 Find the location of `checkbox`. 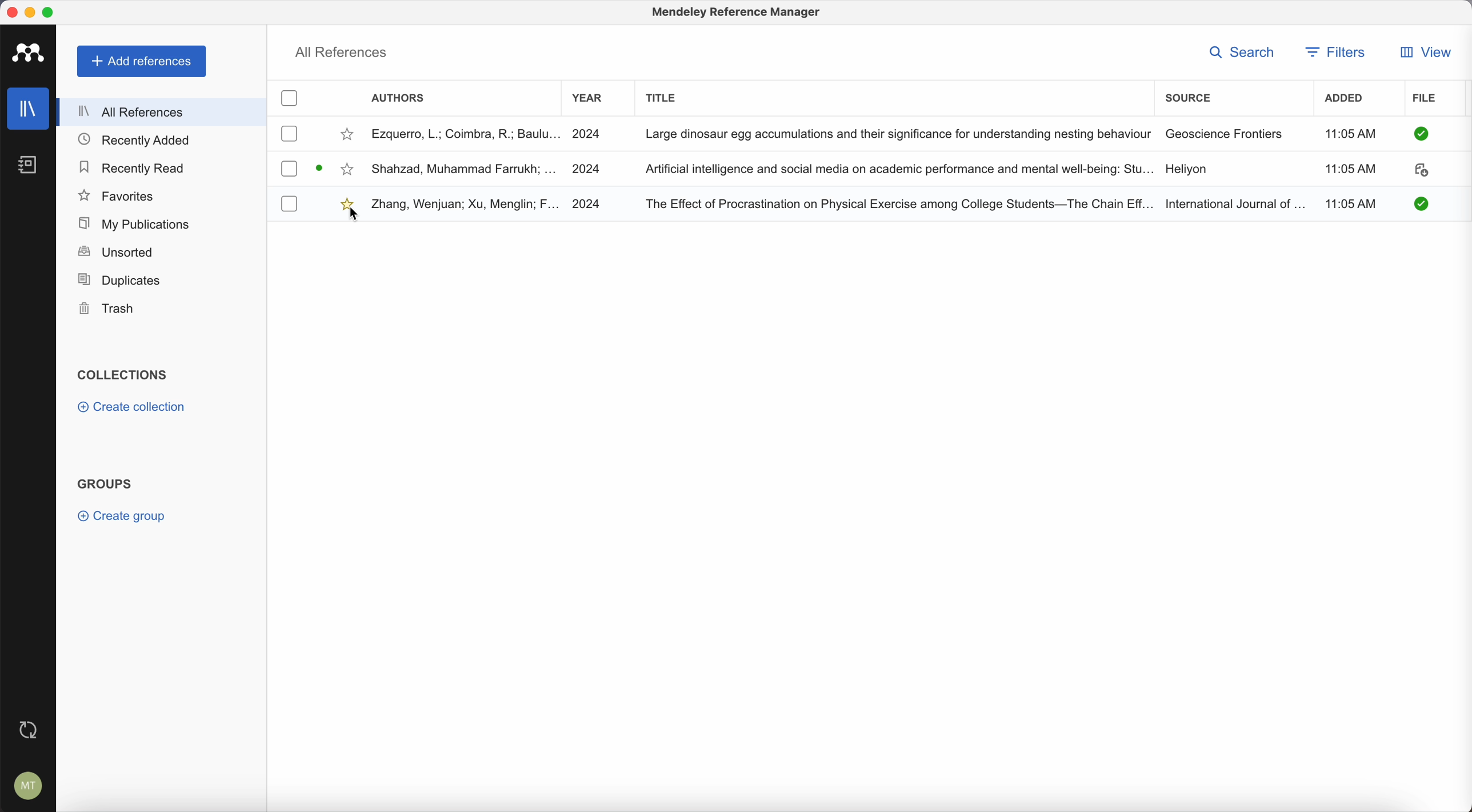

checkbox is located at coordinates (290, 134).